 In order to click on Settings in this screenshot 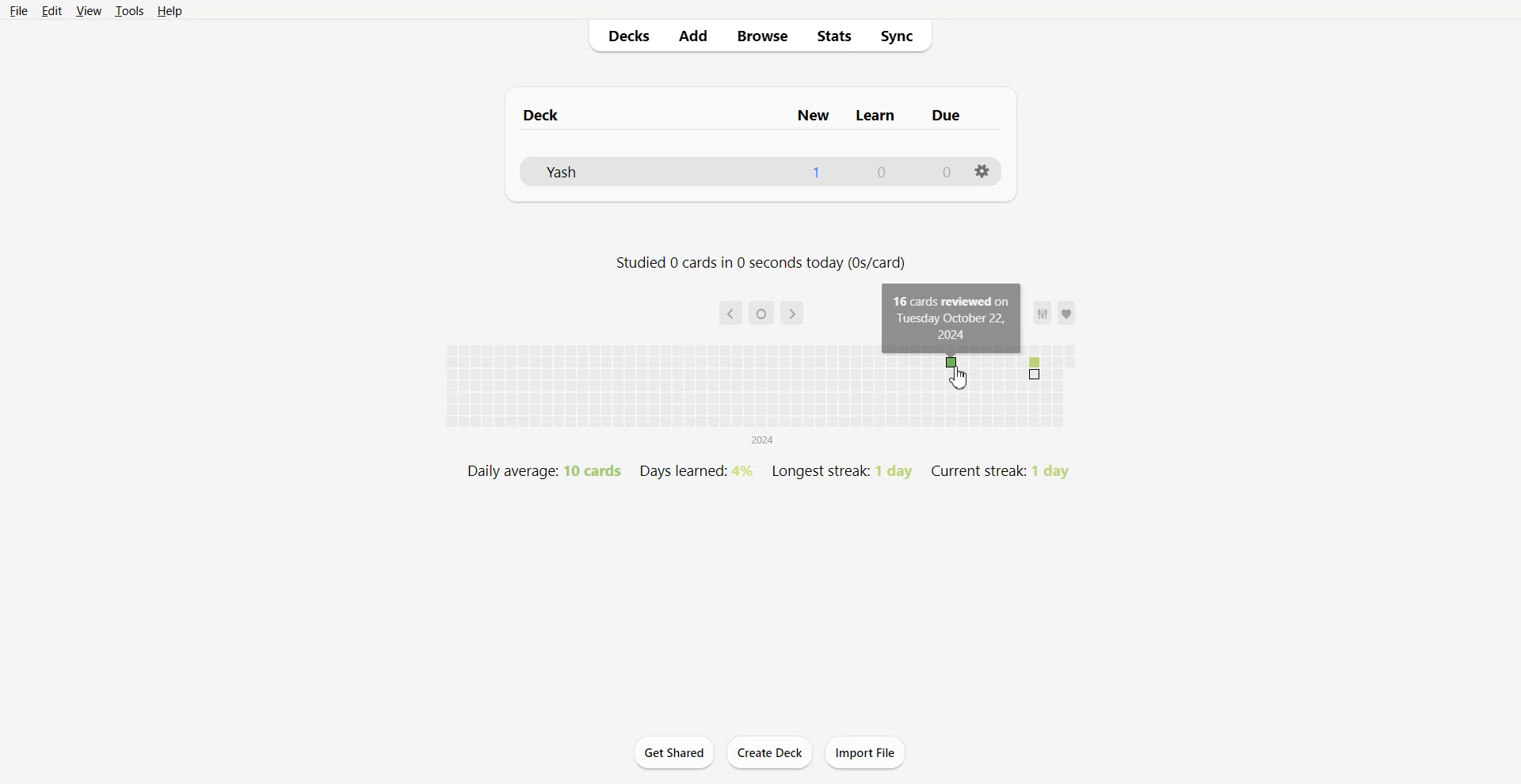, I will do `click(984, 171)`.